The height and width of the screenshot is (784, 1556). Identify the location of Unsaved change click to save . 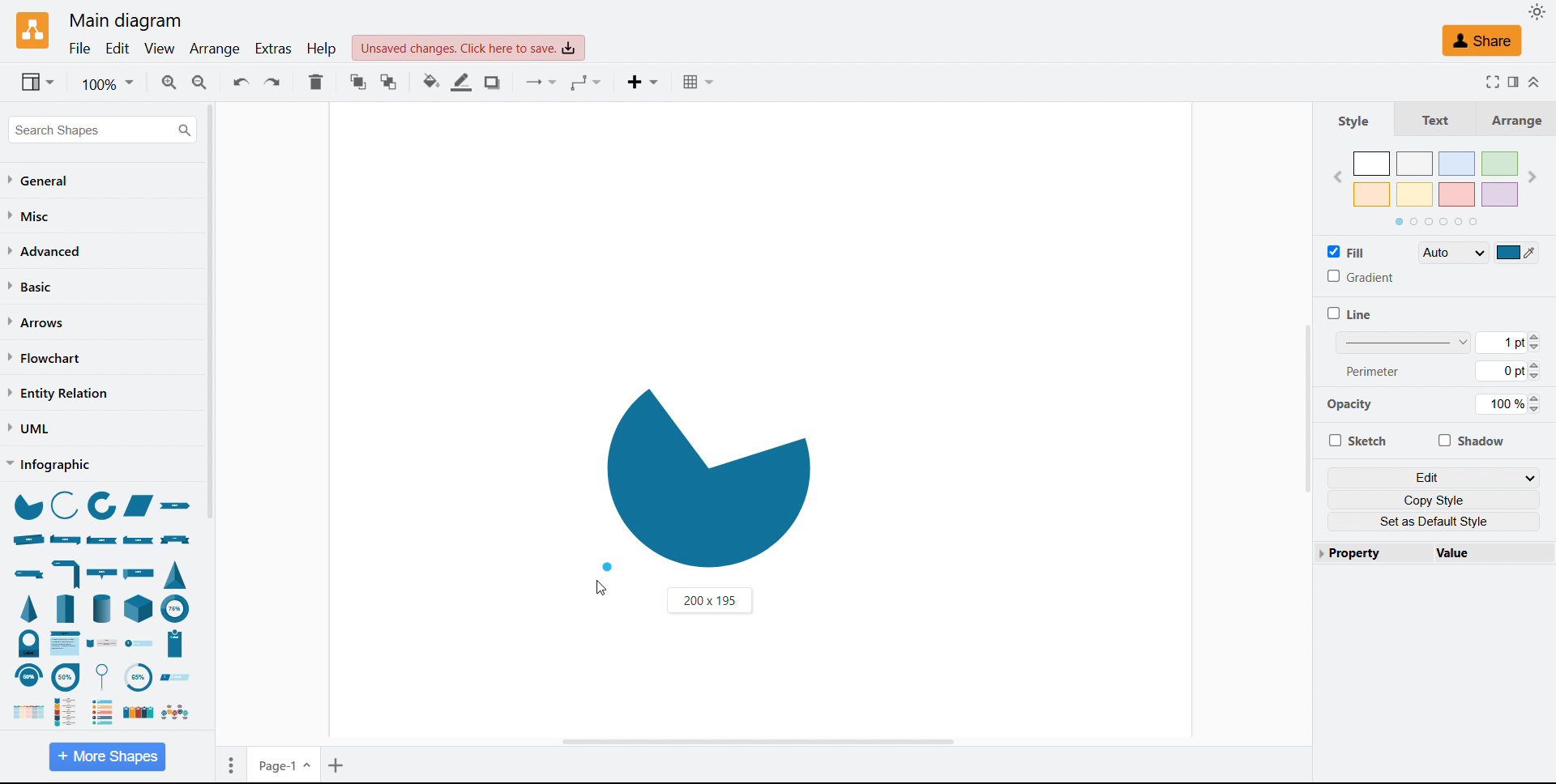
(468, 48).